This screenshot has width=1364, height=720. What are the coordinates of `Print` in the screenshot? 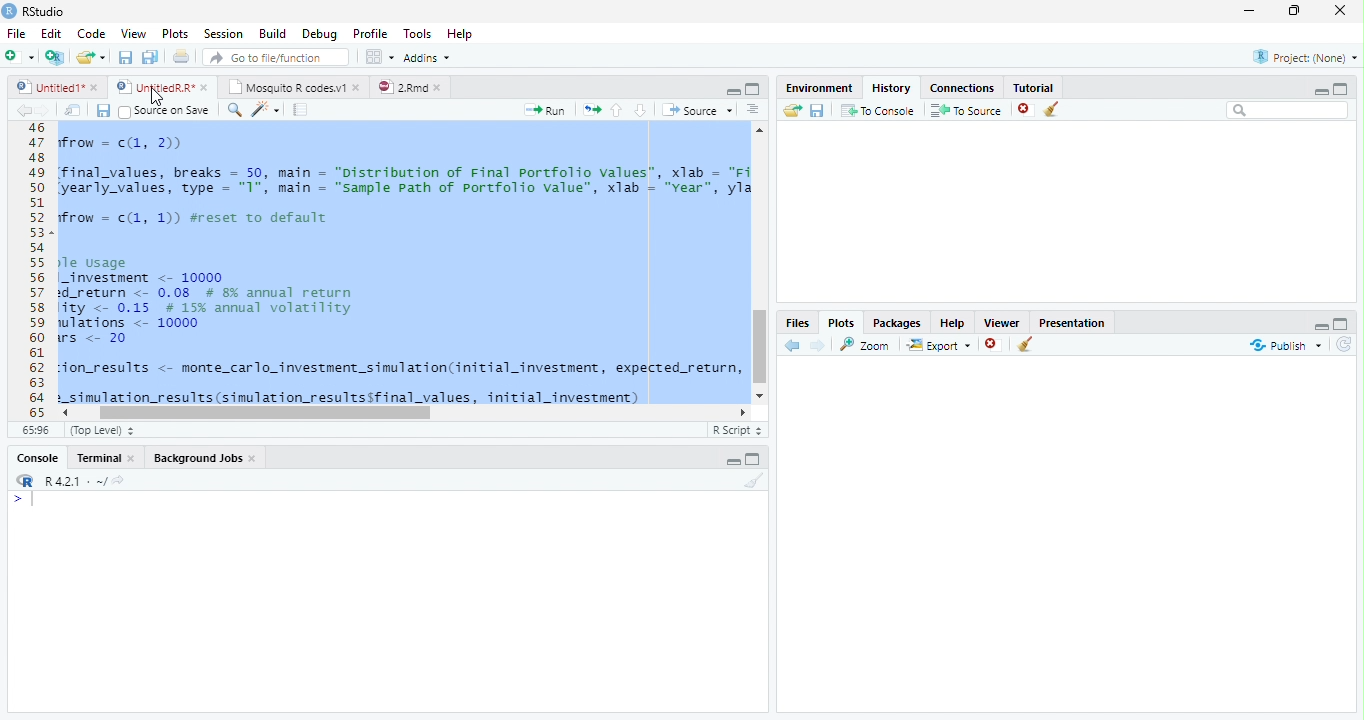 It's located at (181, 56).